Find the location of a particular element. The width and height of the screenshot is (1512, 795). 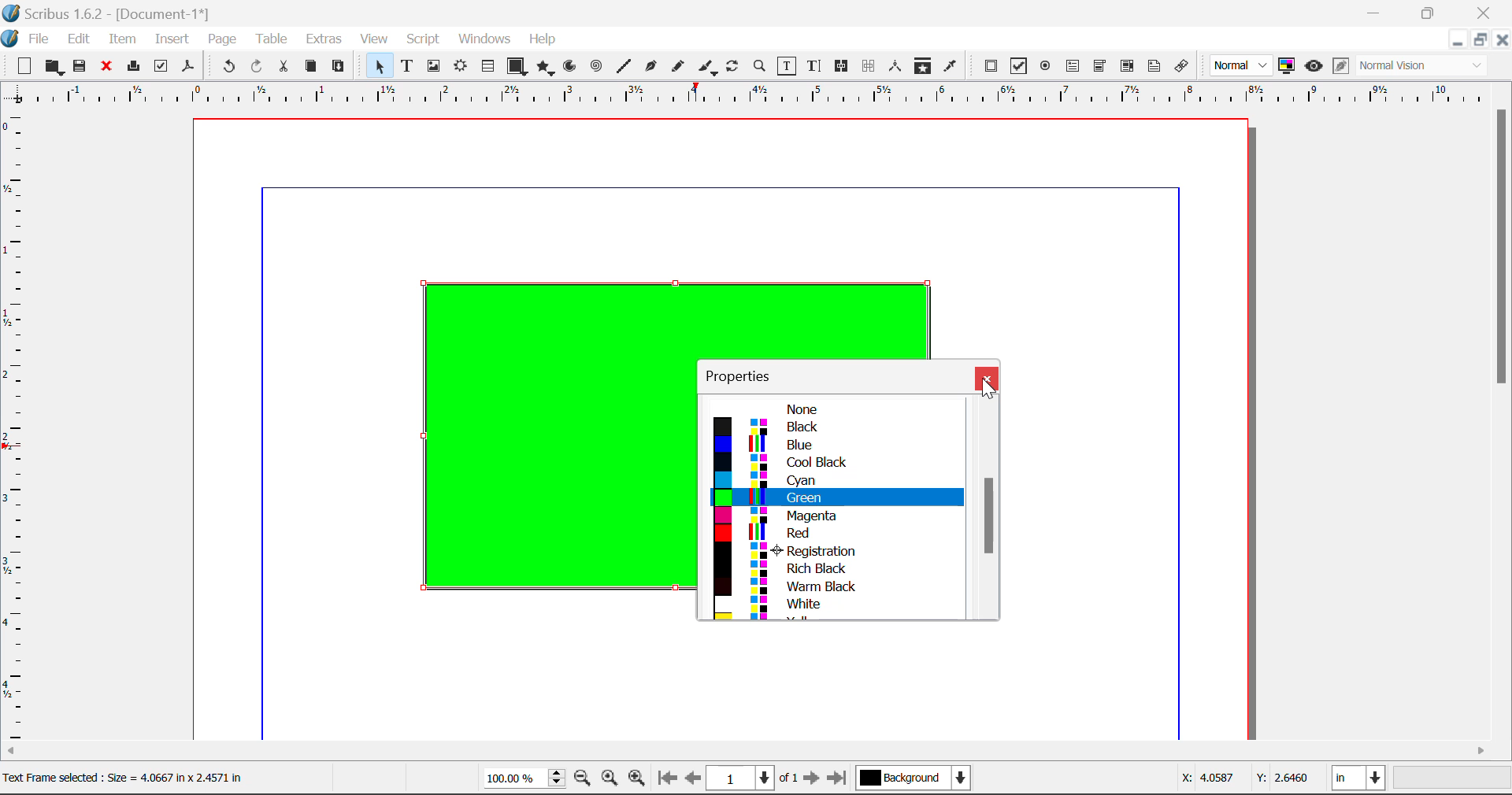

Restore Down is located at coordinates (1377, 13).